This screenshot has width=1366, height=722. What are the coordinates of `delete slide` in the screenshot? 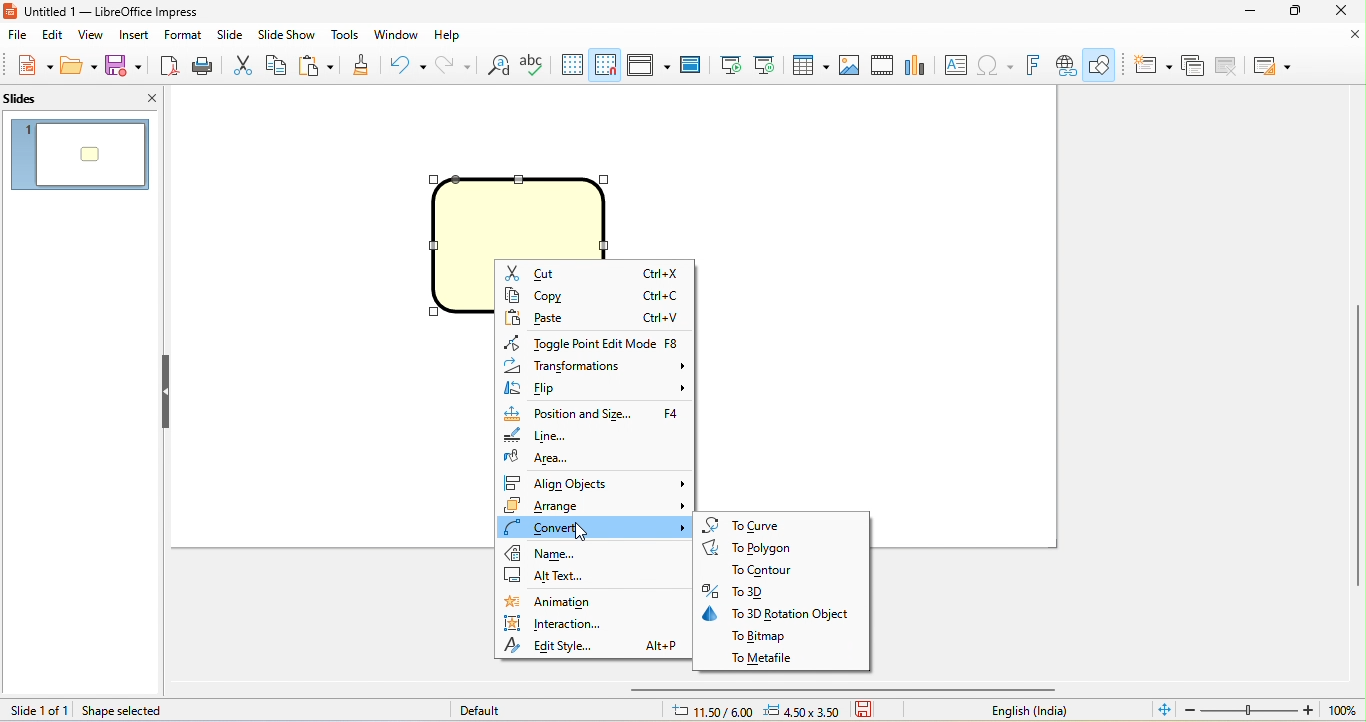 It's located at (1226, 65).